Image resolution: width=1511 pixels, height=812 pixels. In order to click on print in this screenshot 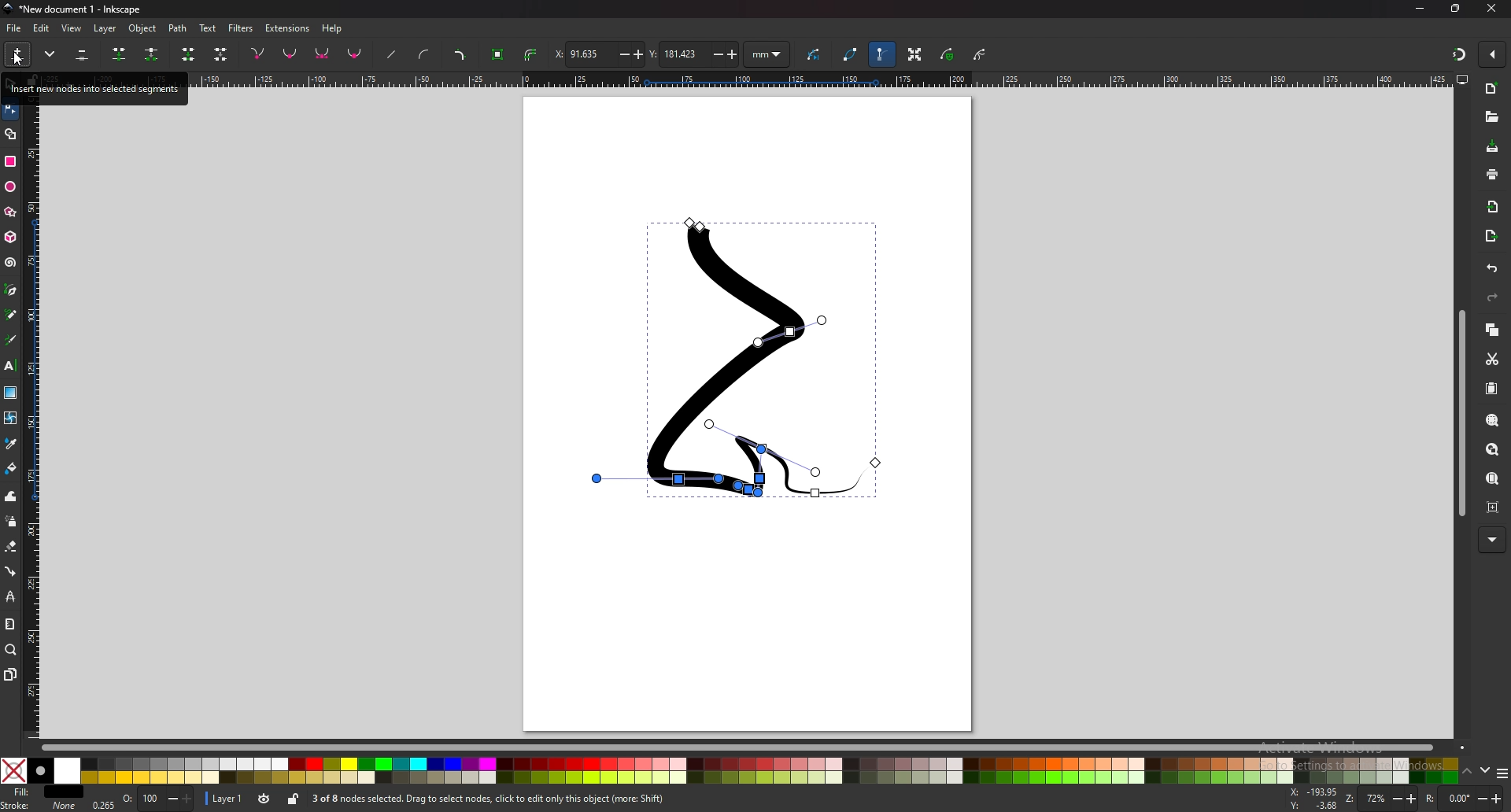, I will do `click(1493, 175)`.